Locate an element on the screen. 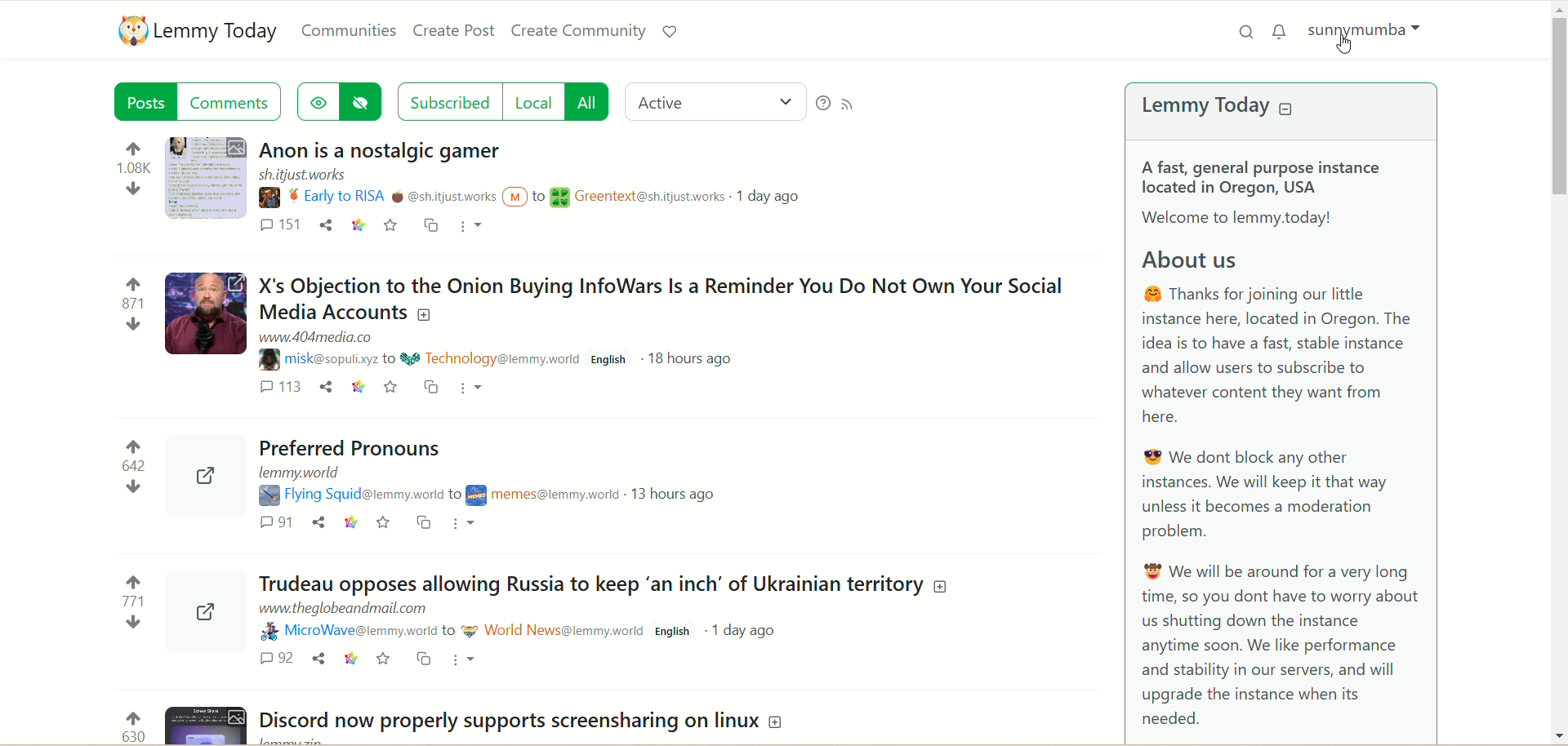 This screenshot has height=746, width=1568. Image of the post that can be expanded is located at coordinates (208, 174).